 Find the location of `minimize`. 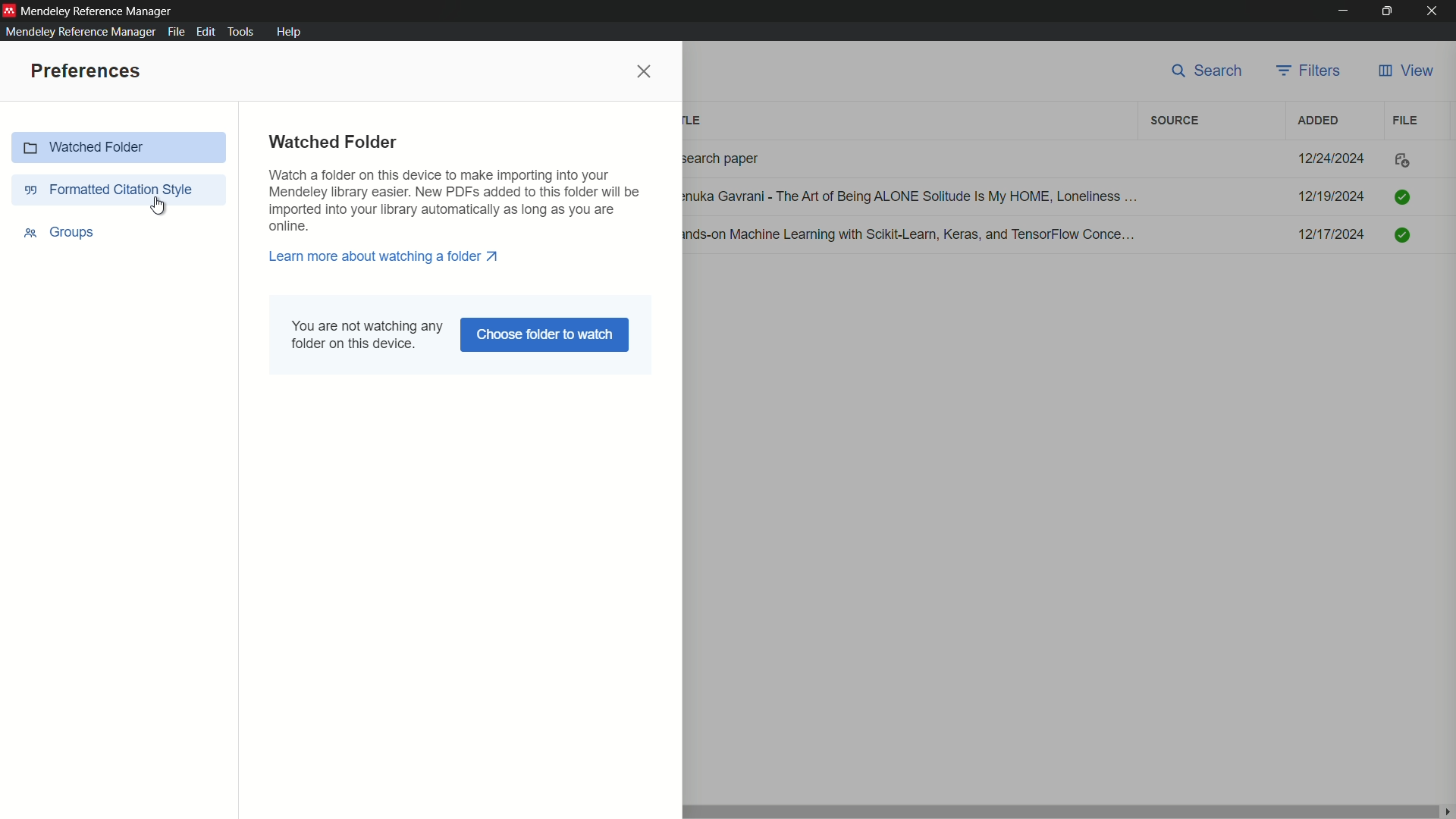

minimize is located at coordinates (1341, 11).